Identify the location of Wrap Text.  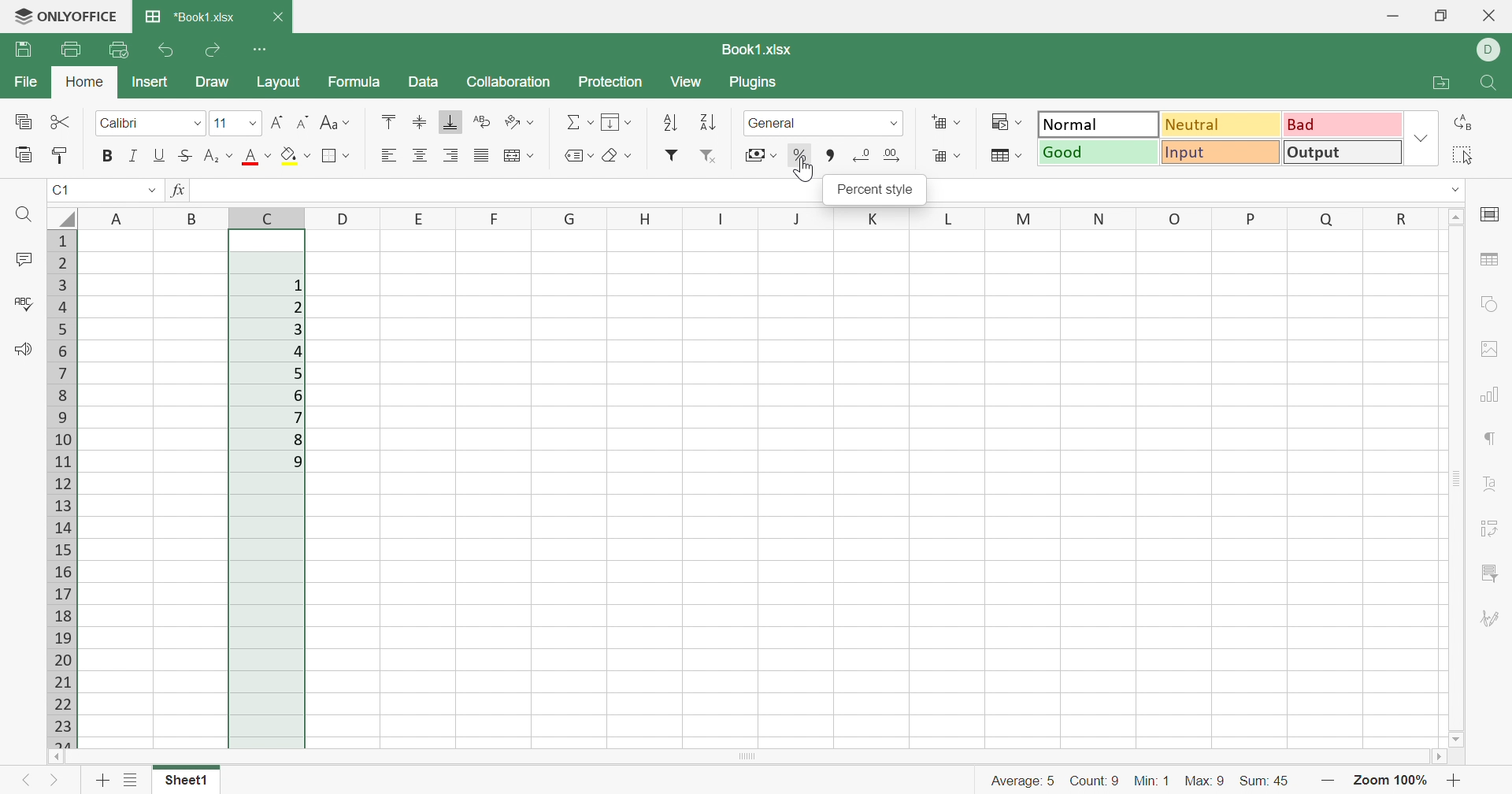
(484, 124).